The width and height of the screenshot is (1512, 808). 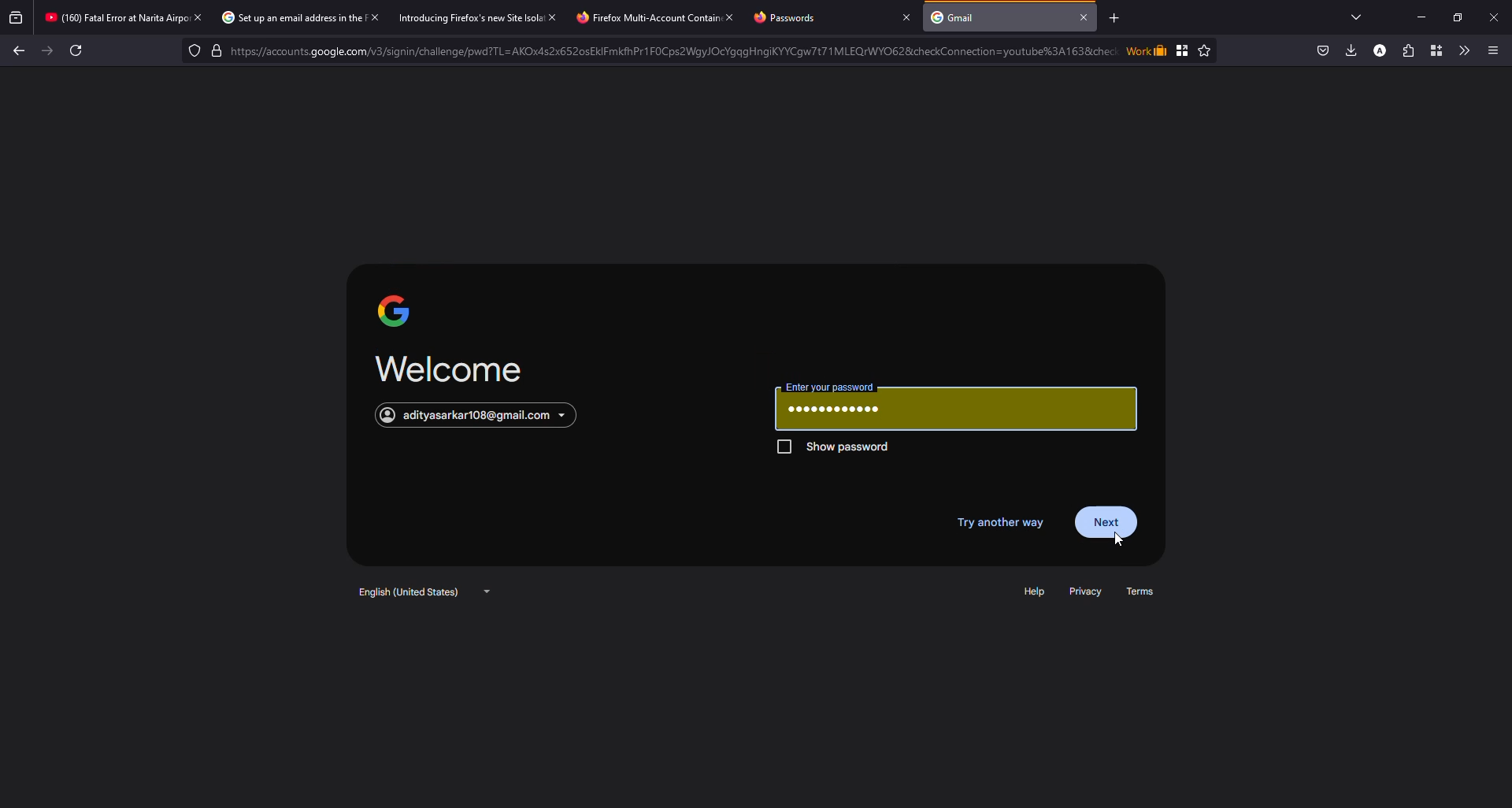 What do you see at coordinates (729, 17) in the screenshot?
I see `close` at bounding box center [729, 17].